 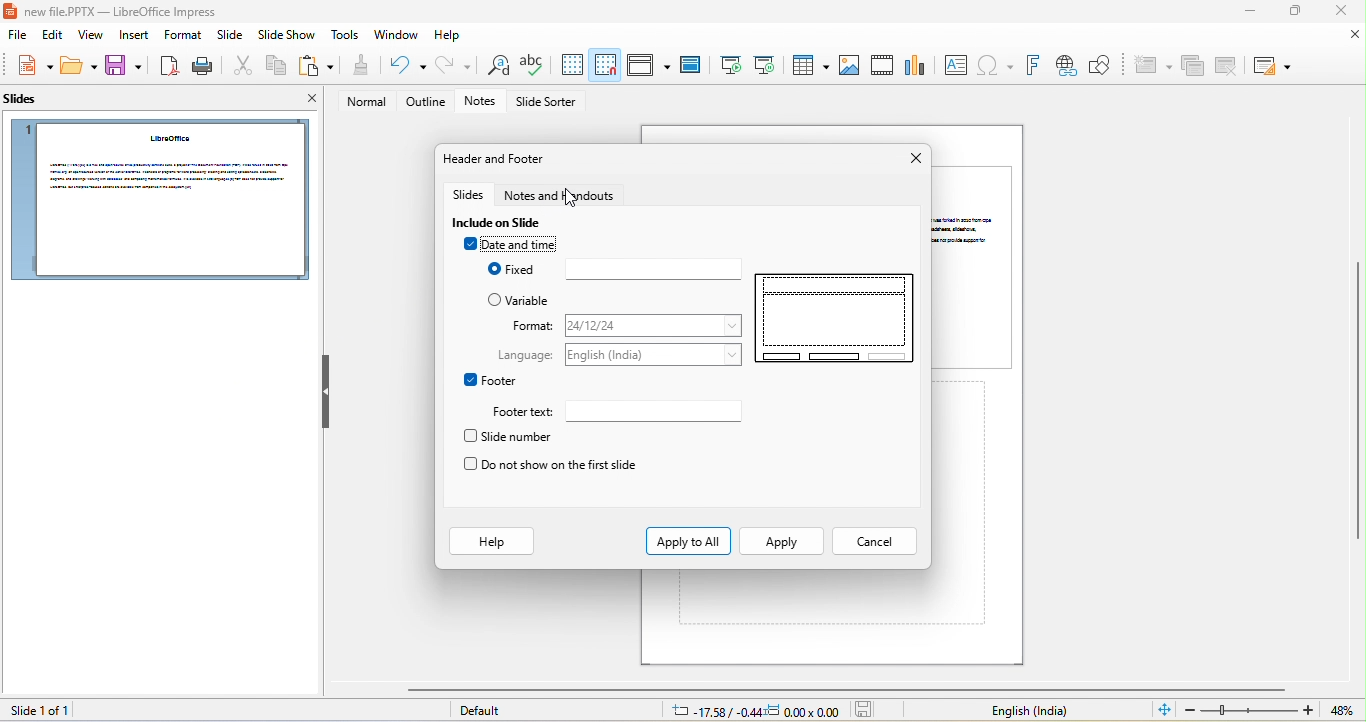 I want to click on slide, so click(x=229, y=38).